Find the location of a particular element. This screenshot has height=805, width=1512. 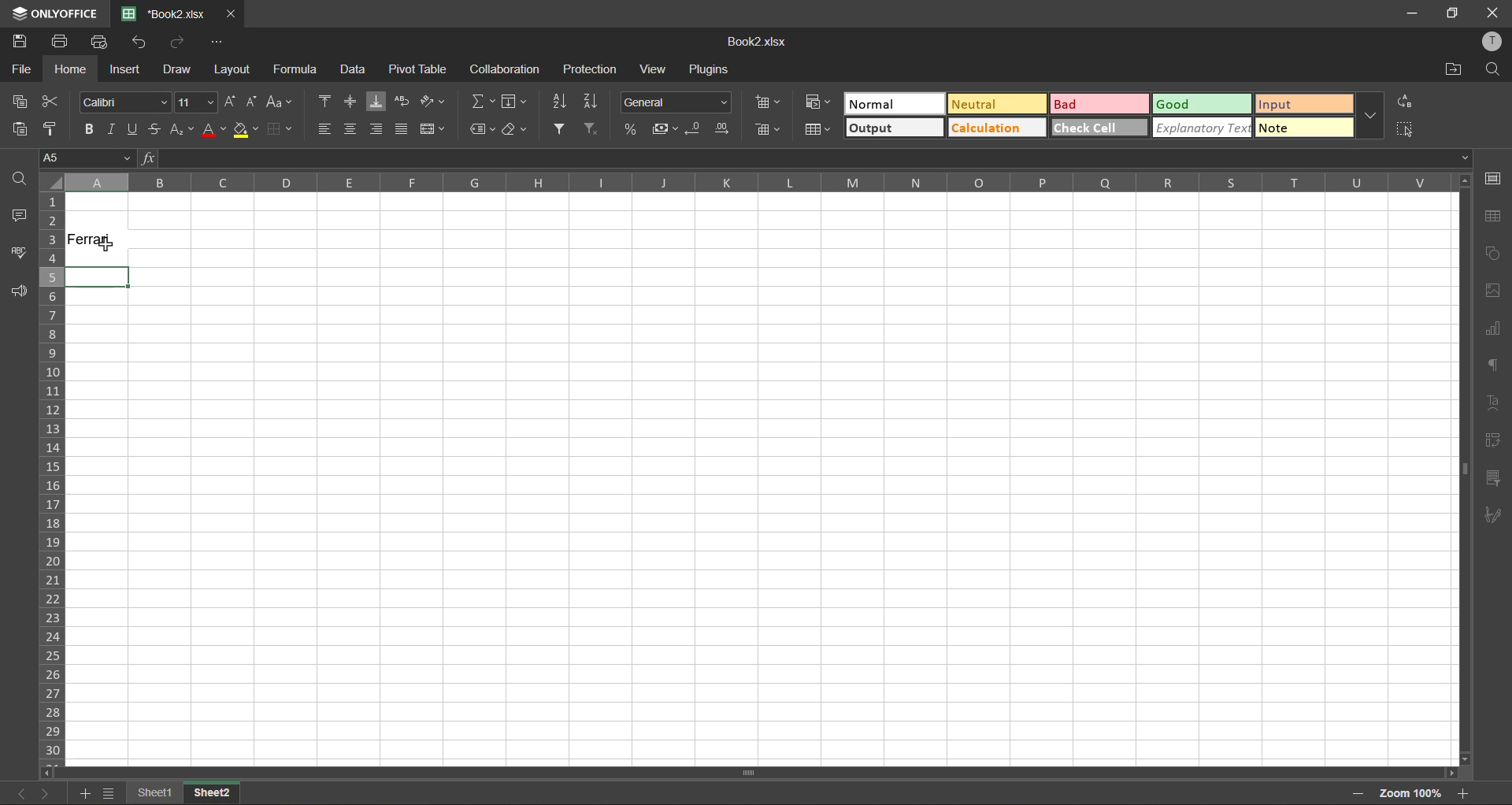

images is located at coordinates (1494, 290).